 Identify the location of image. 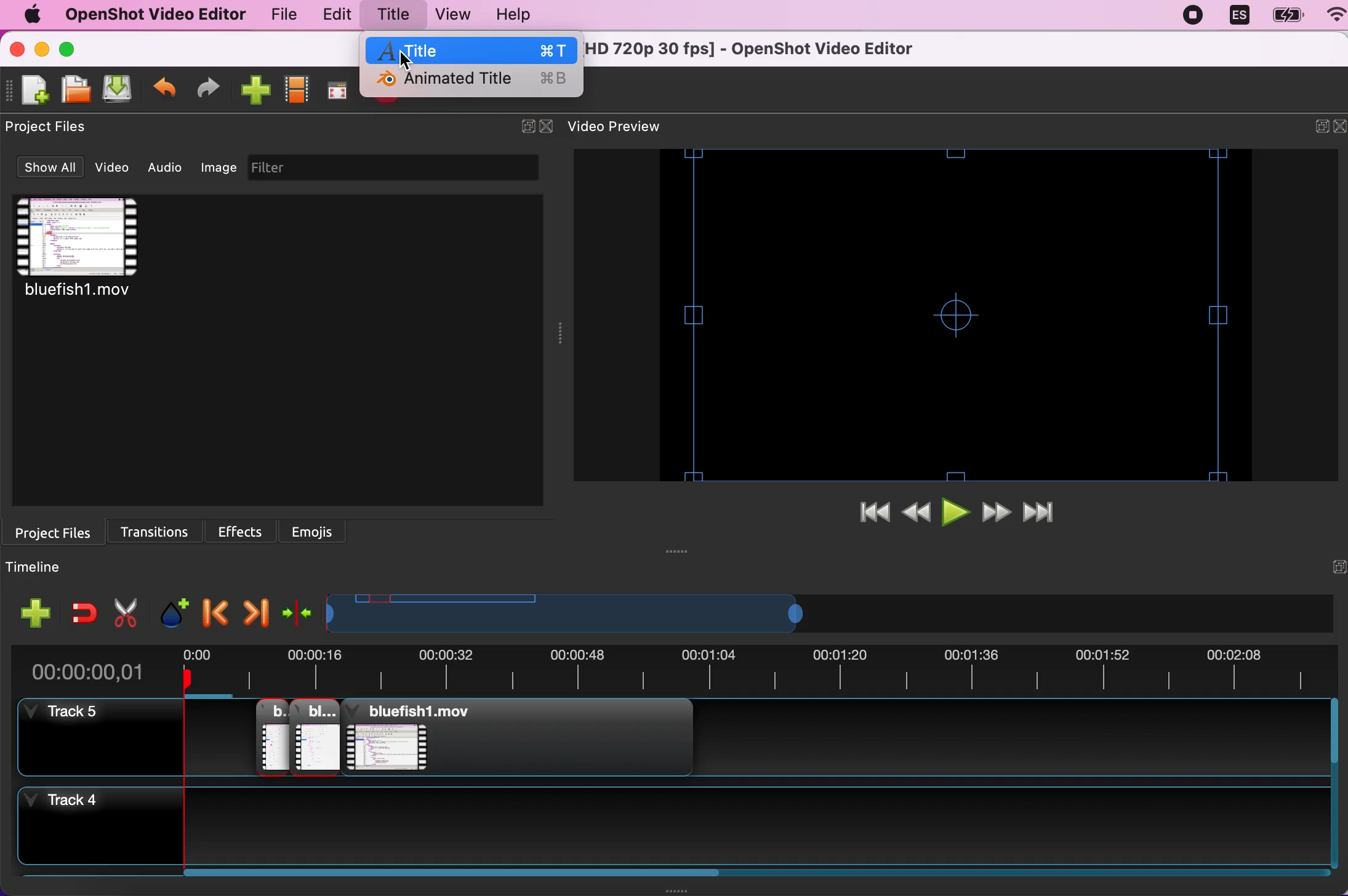
(219, 166).